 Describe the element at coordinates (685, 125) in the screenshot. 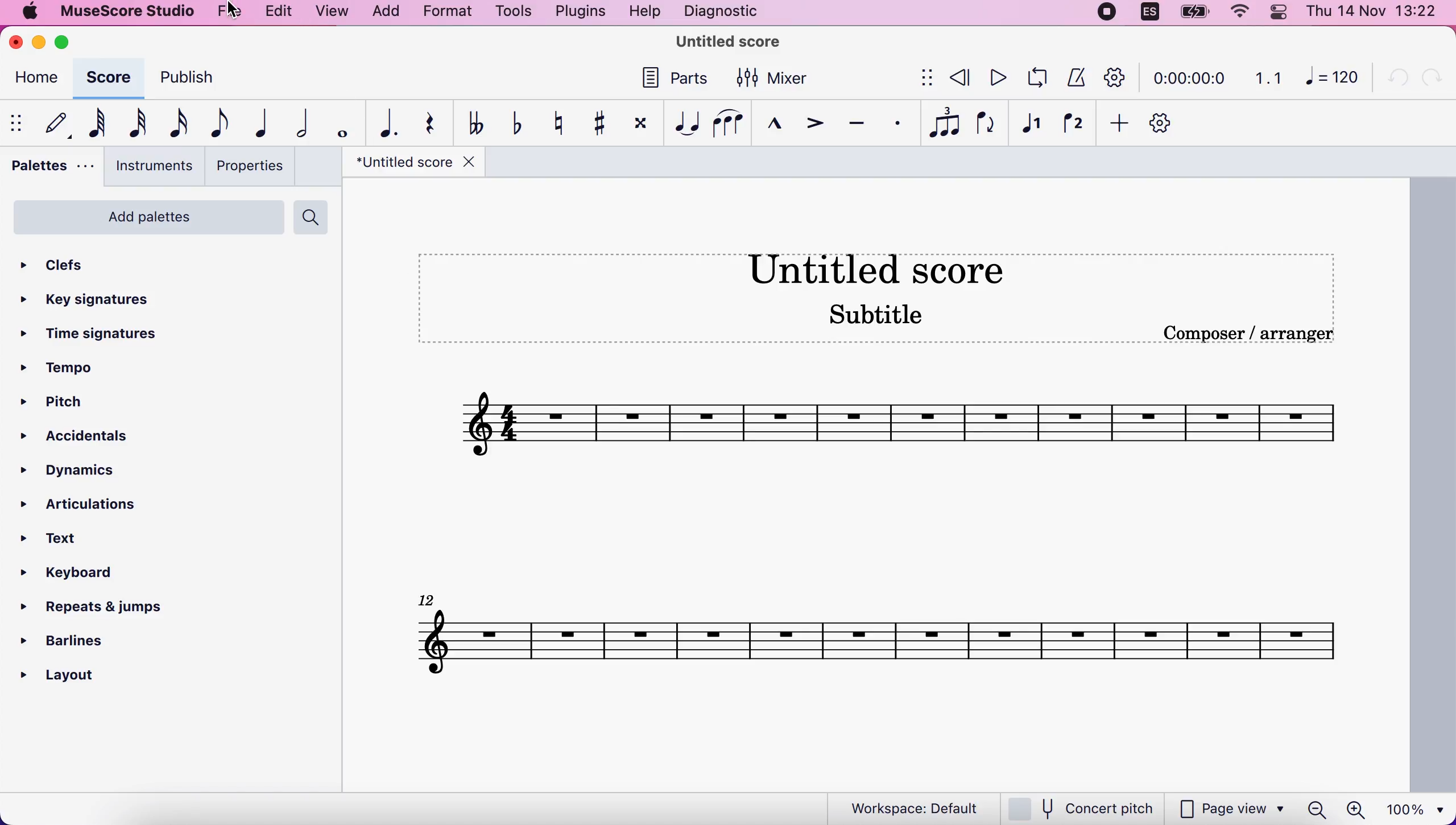

I see `tie` at that location.